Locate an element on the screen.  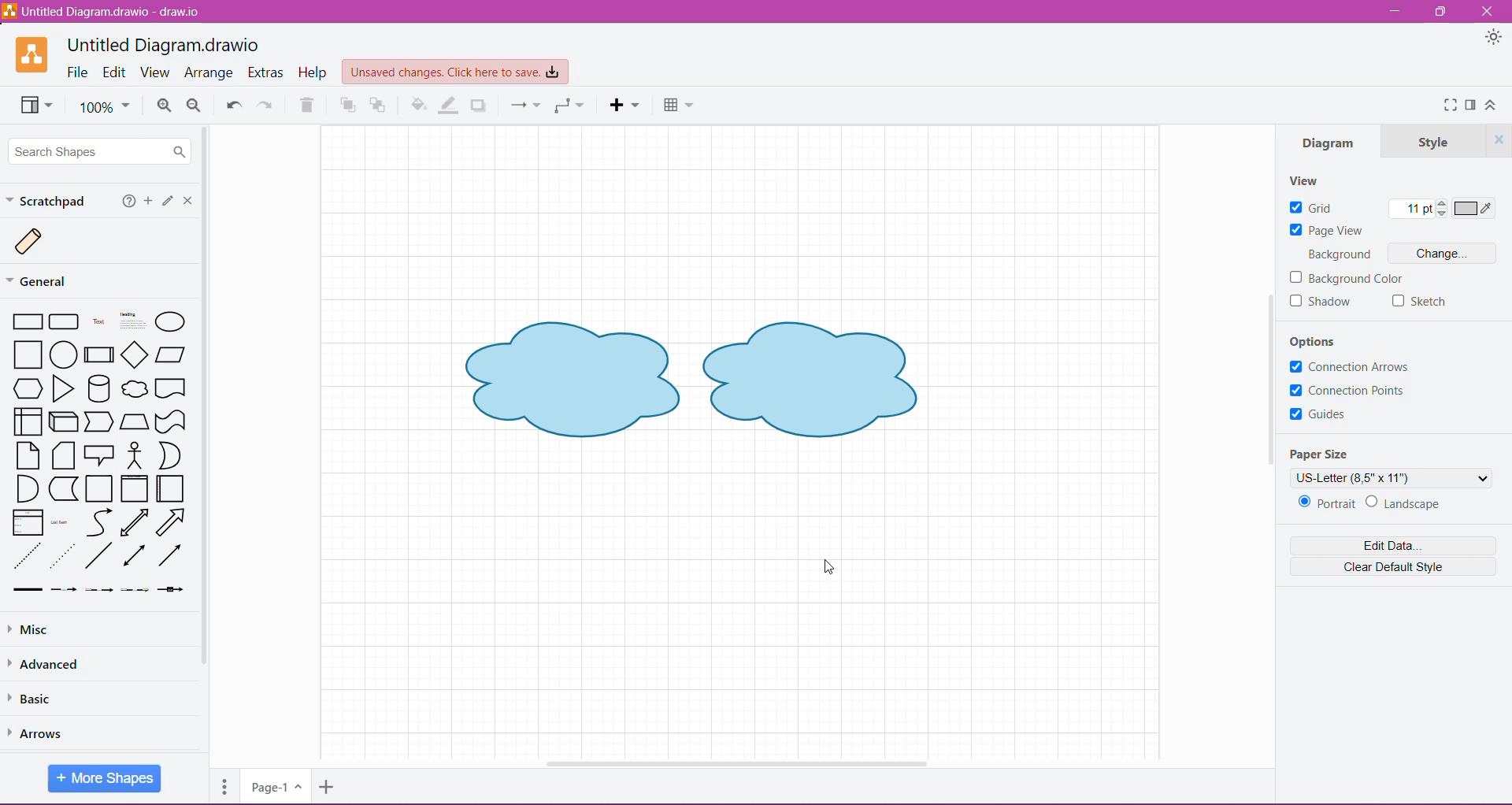
Vertical Scroll Bar is located at coordinates (1266, 387).